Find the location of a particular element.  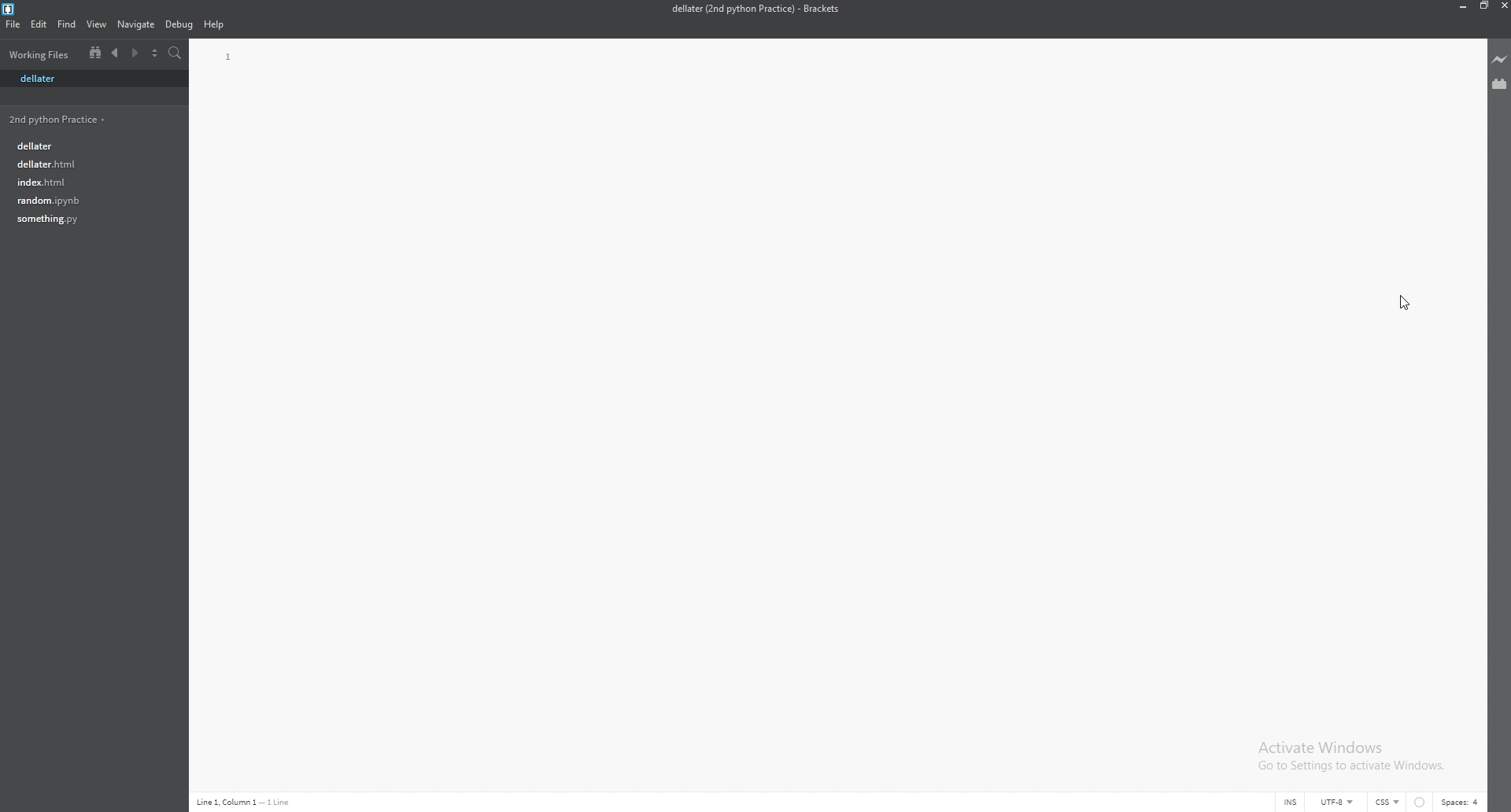

working files is located at coordinates (42, 54).